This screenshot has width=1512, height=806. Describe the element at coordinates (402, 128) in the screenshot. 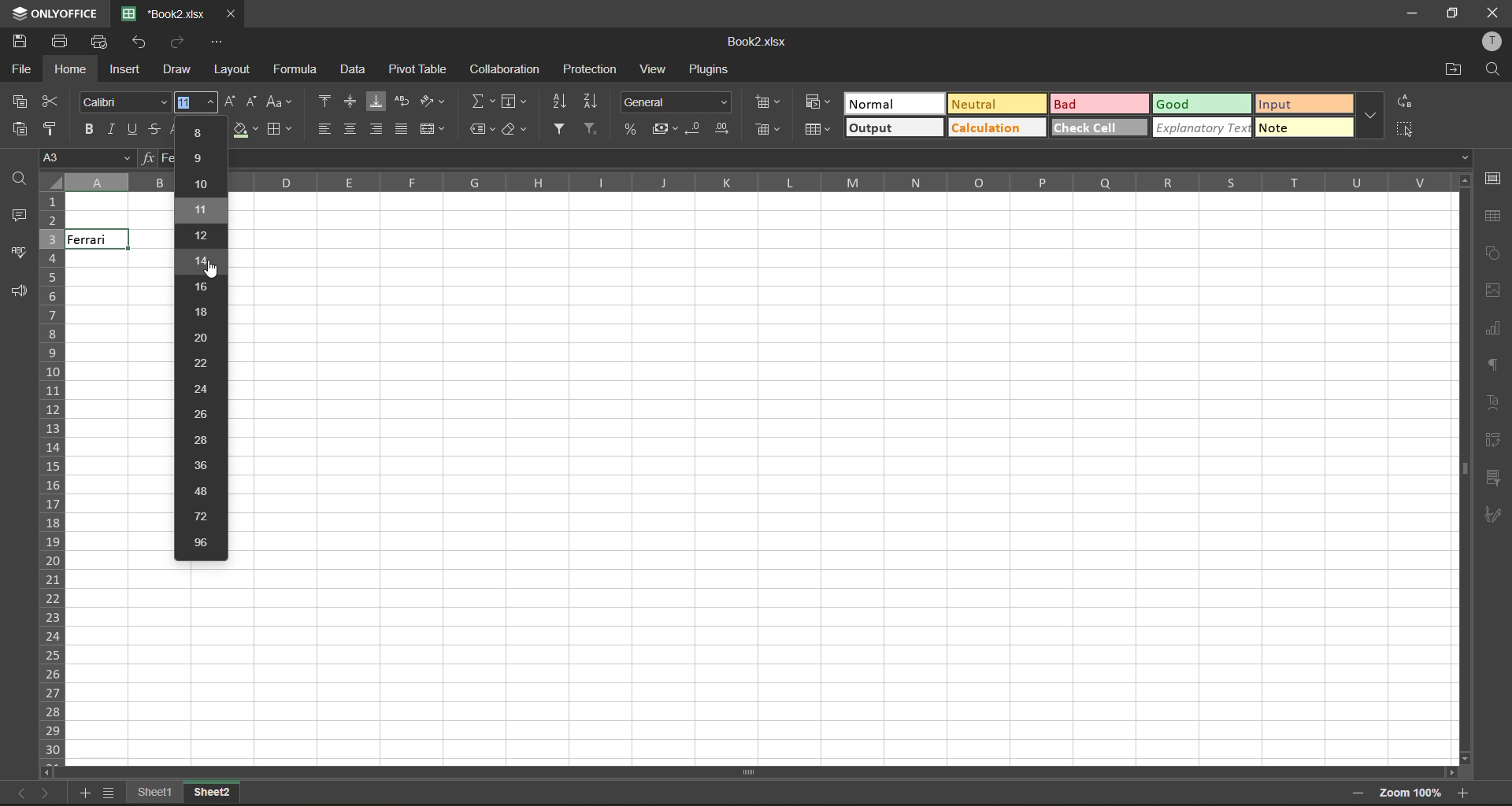

I see `justified` at that location.